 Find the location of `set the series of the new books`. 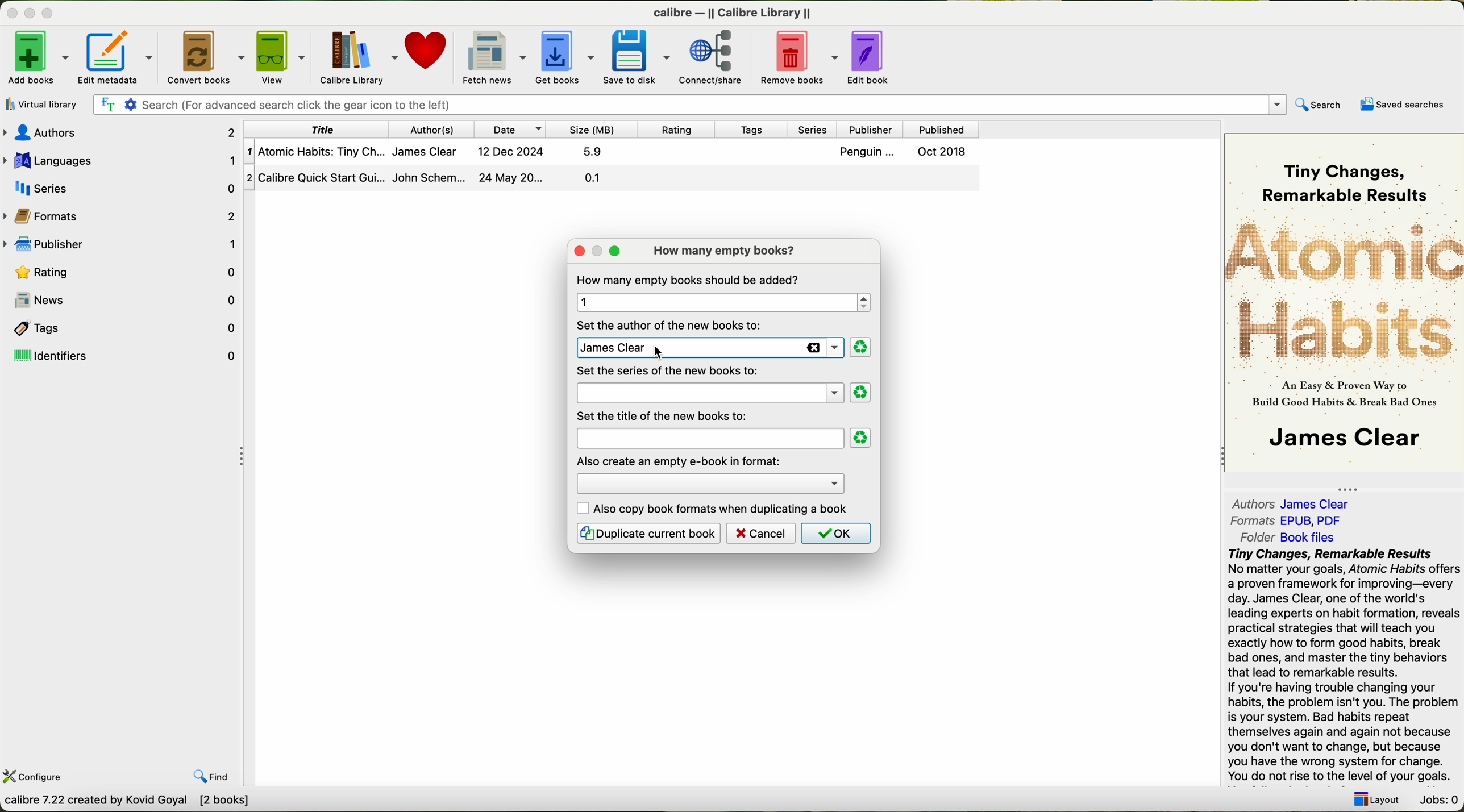

set the series of the new books is located at coordinates (667, 371).